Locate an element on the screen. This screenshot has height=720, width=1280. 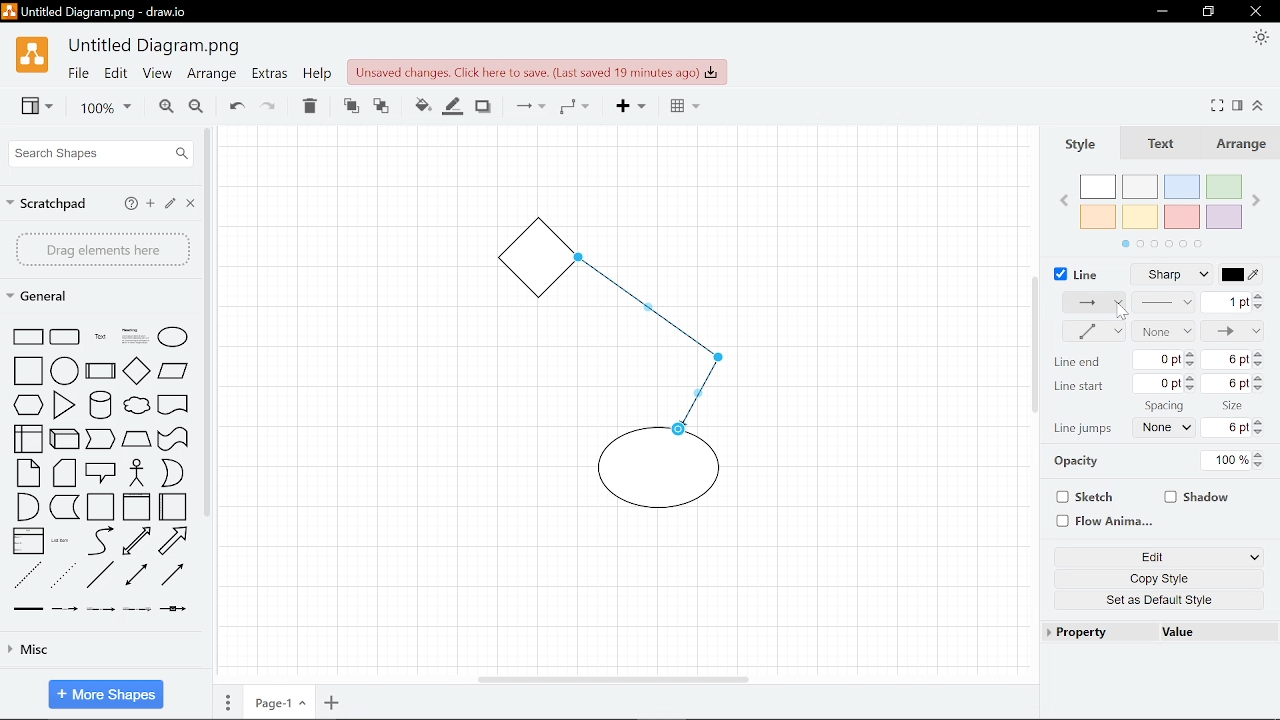
shape is located at coordinates (174, 407).